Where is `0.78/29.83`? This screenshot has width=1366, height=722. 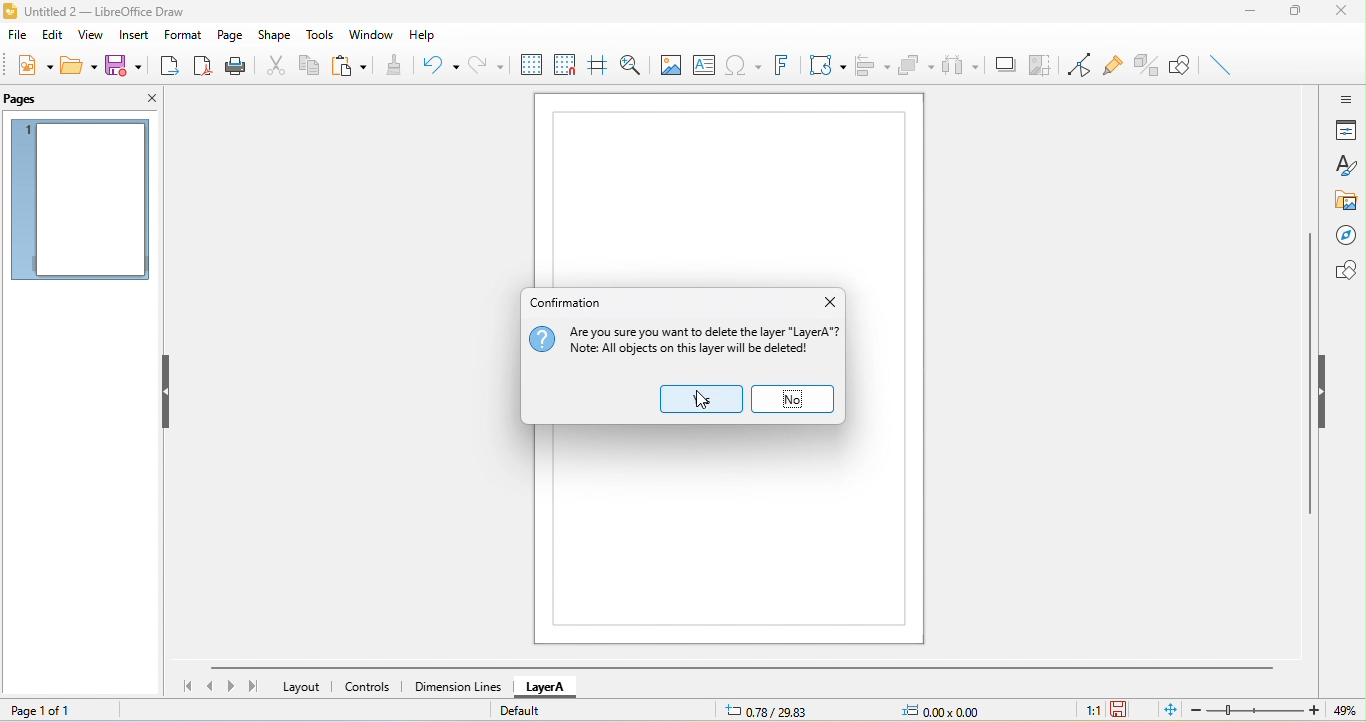
0.78/29.83 is located at coordinates (763, 711).